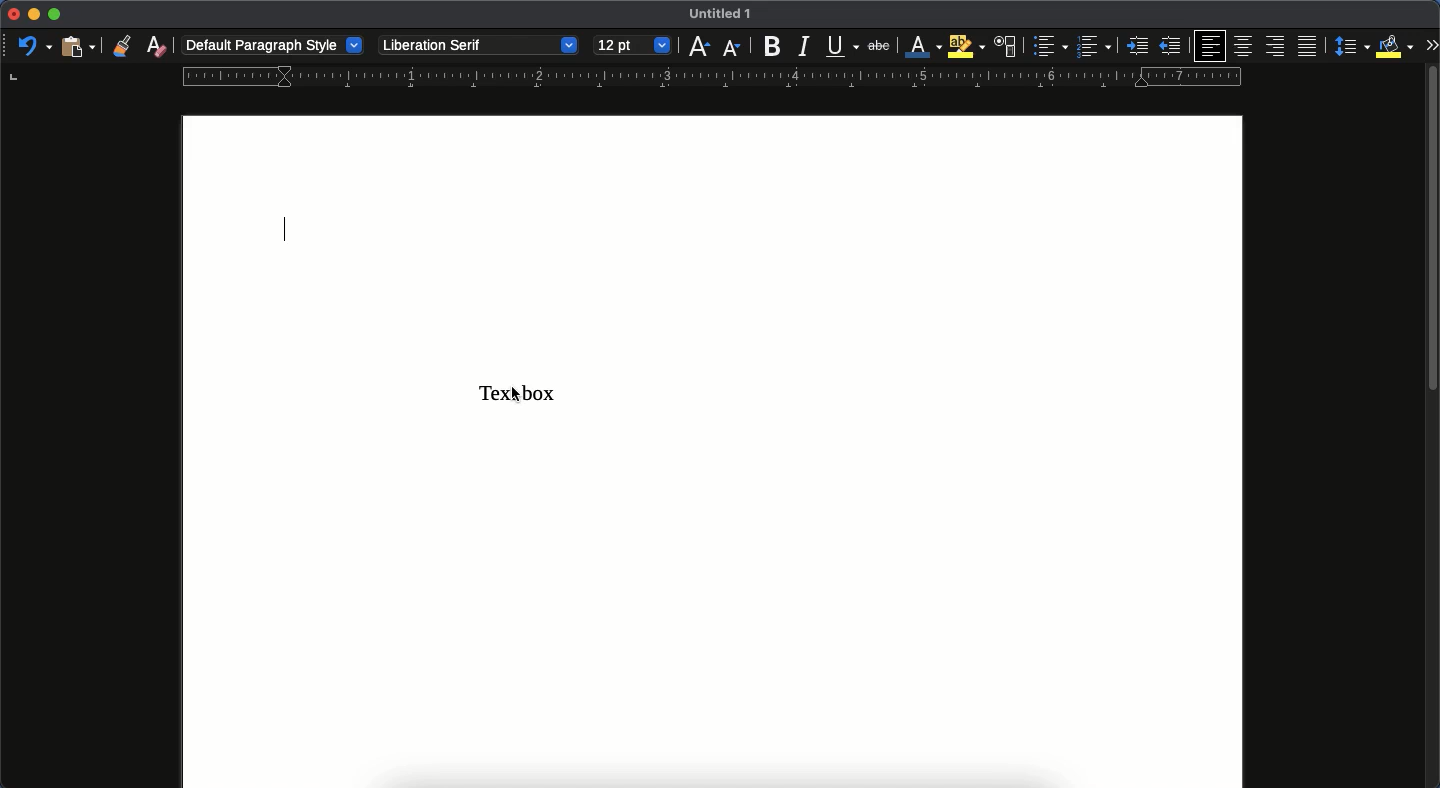 The width and height of the screenshot is (1440, 788). What do you see at coordinates (1394, 46) in the screenshot?
I see `fill color` at bounding box center [1394, 46].